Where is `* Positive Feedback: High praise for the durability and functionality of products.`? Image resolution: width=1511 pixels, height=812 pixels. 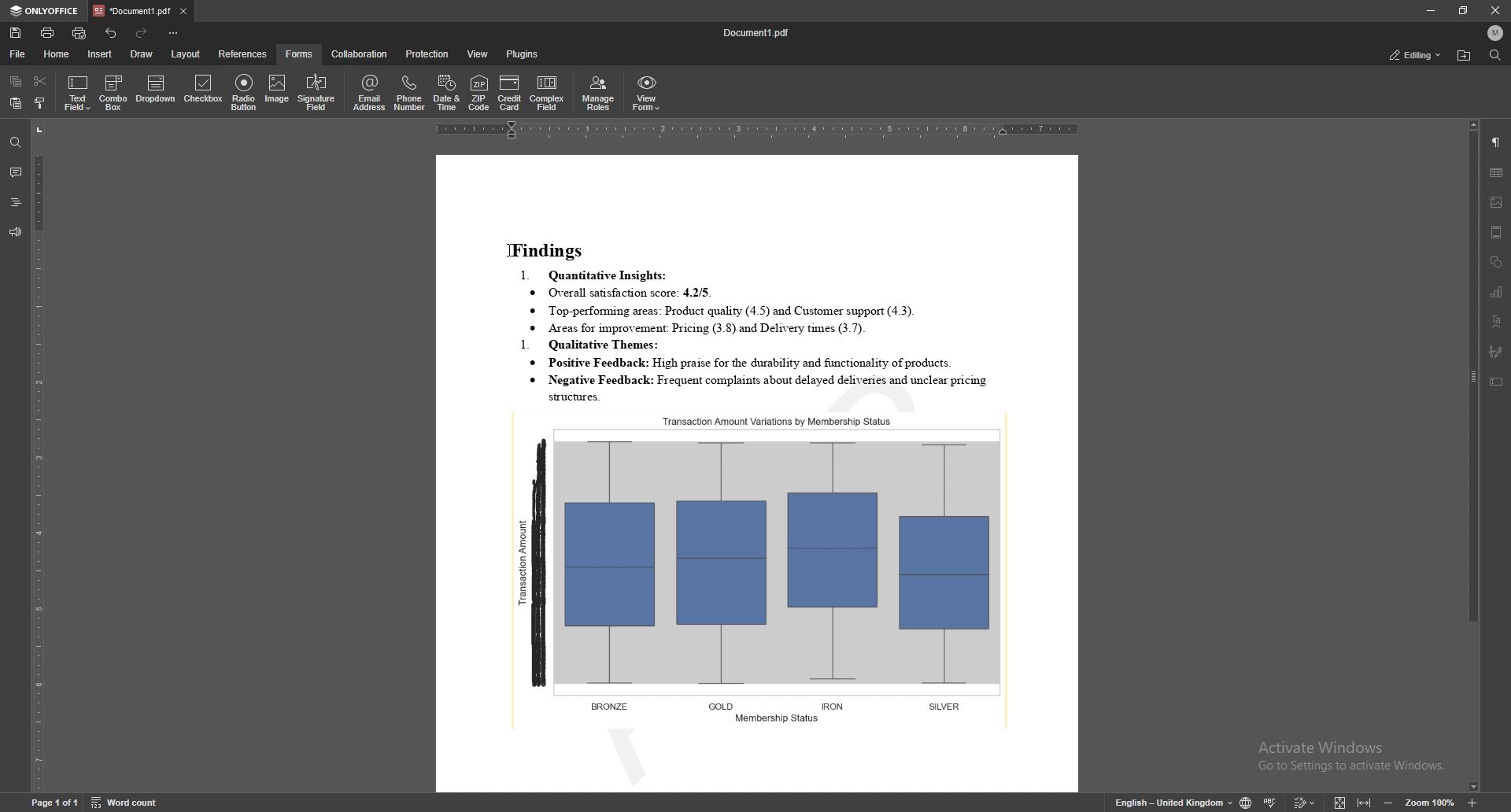
* Positive Feedback: High praise for the durability and functionality of products. is located at coordinates (768, 363).